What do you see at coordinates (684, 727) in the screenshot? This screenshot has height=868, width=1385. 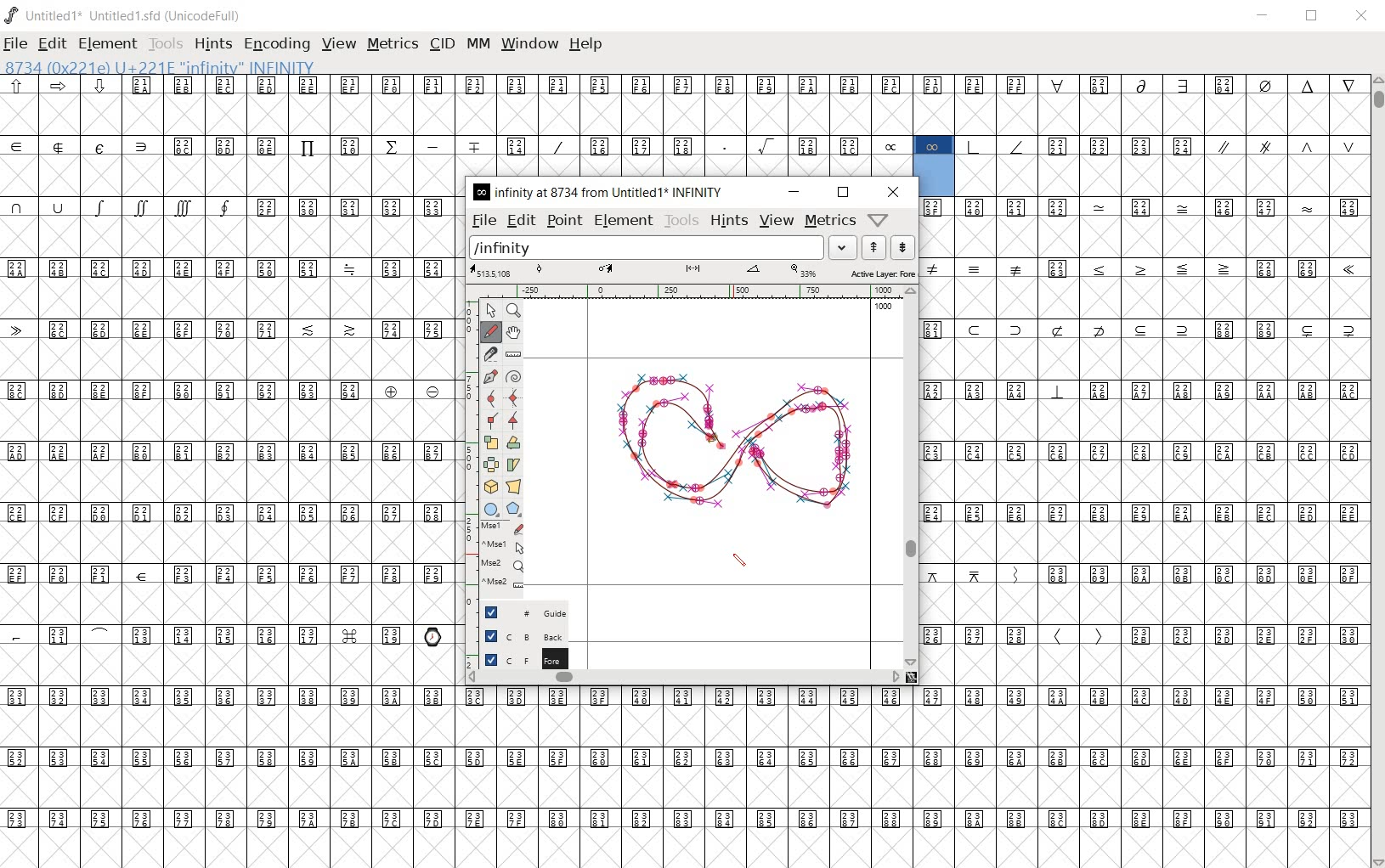 I see `empty glyph slots` at bounding box center [684, 727].